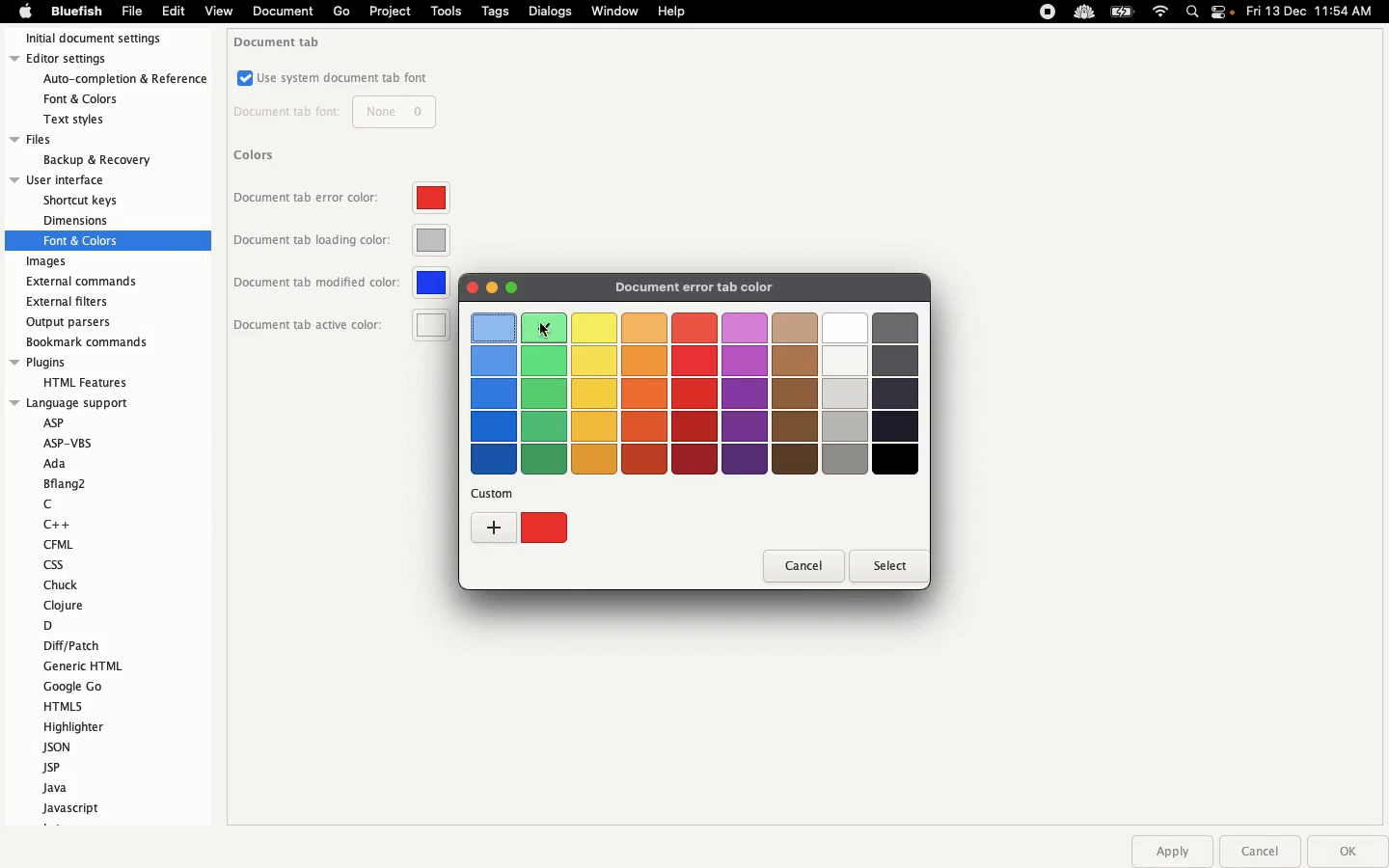 The image size is (1389, 868). Describe the element at coordinates (474, 289) in the screenshot. I see `Color` at that location.